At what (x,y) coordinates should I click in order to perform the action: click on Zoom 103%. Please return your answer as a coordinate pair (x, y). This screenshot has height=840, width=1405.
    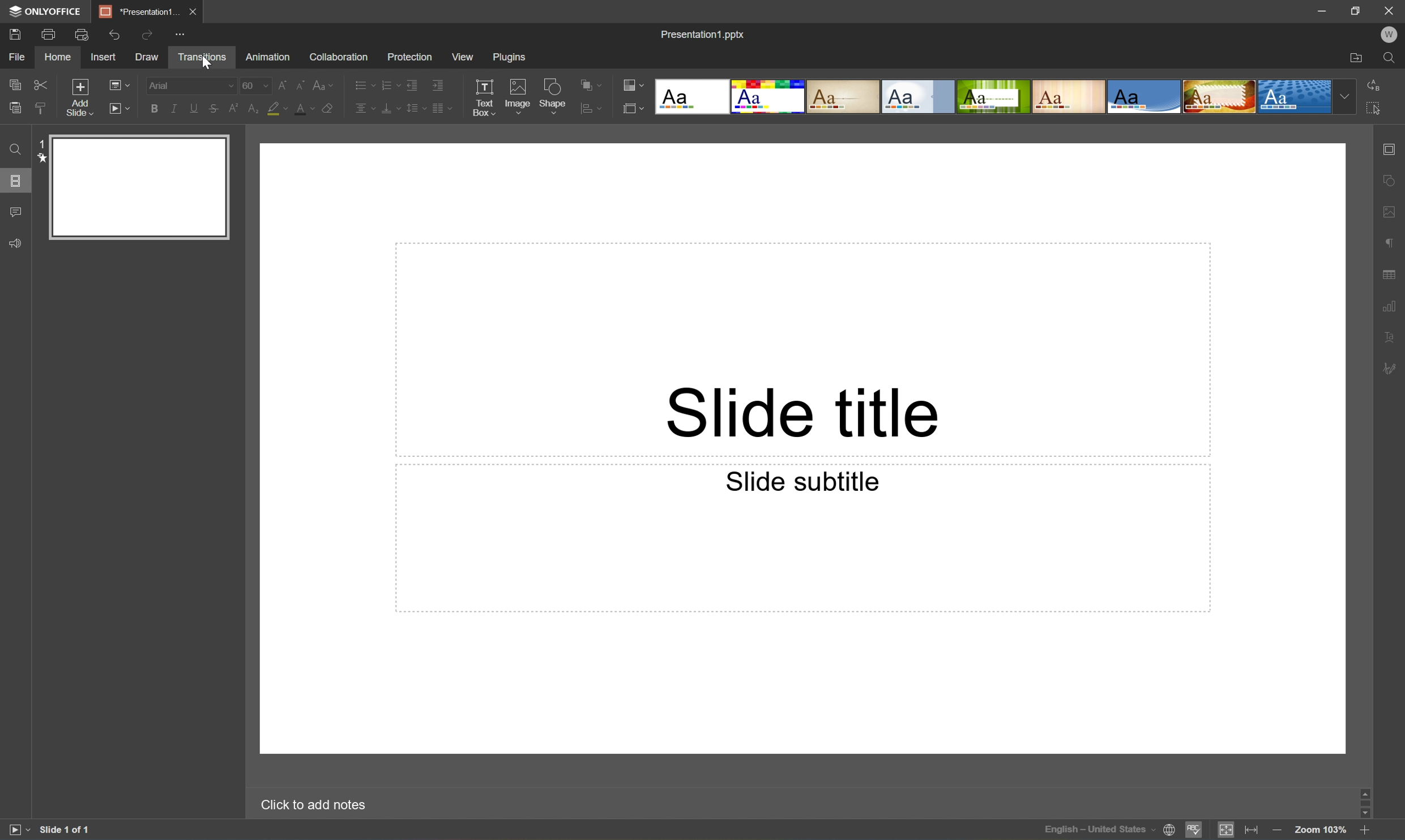
    Looking at the image, I should click on (1322, 830).